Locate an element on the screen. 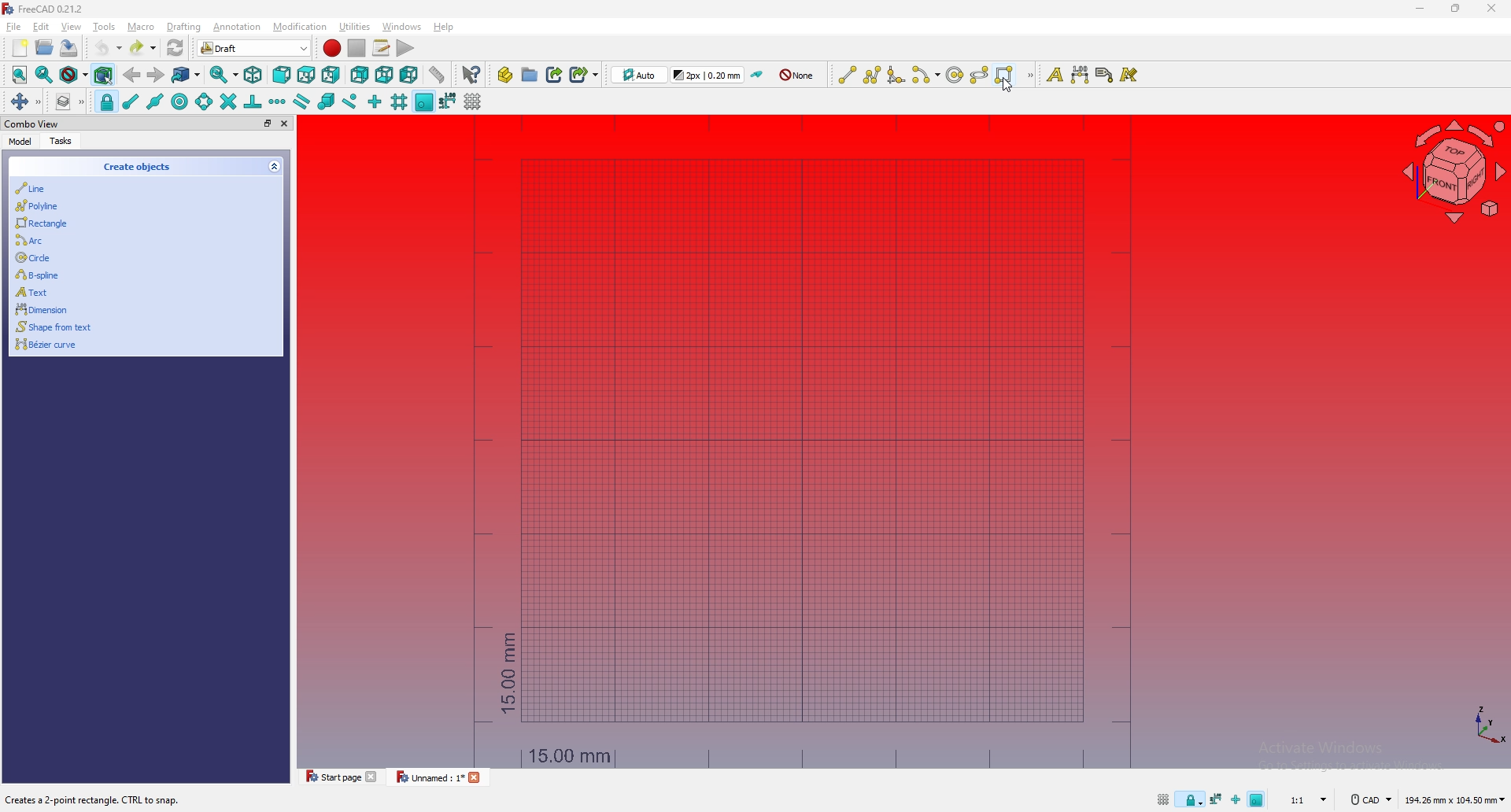  minimize is located at coordinates (1420, 9).